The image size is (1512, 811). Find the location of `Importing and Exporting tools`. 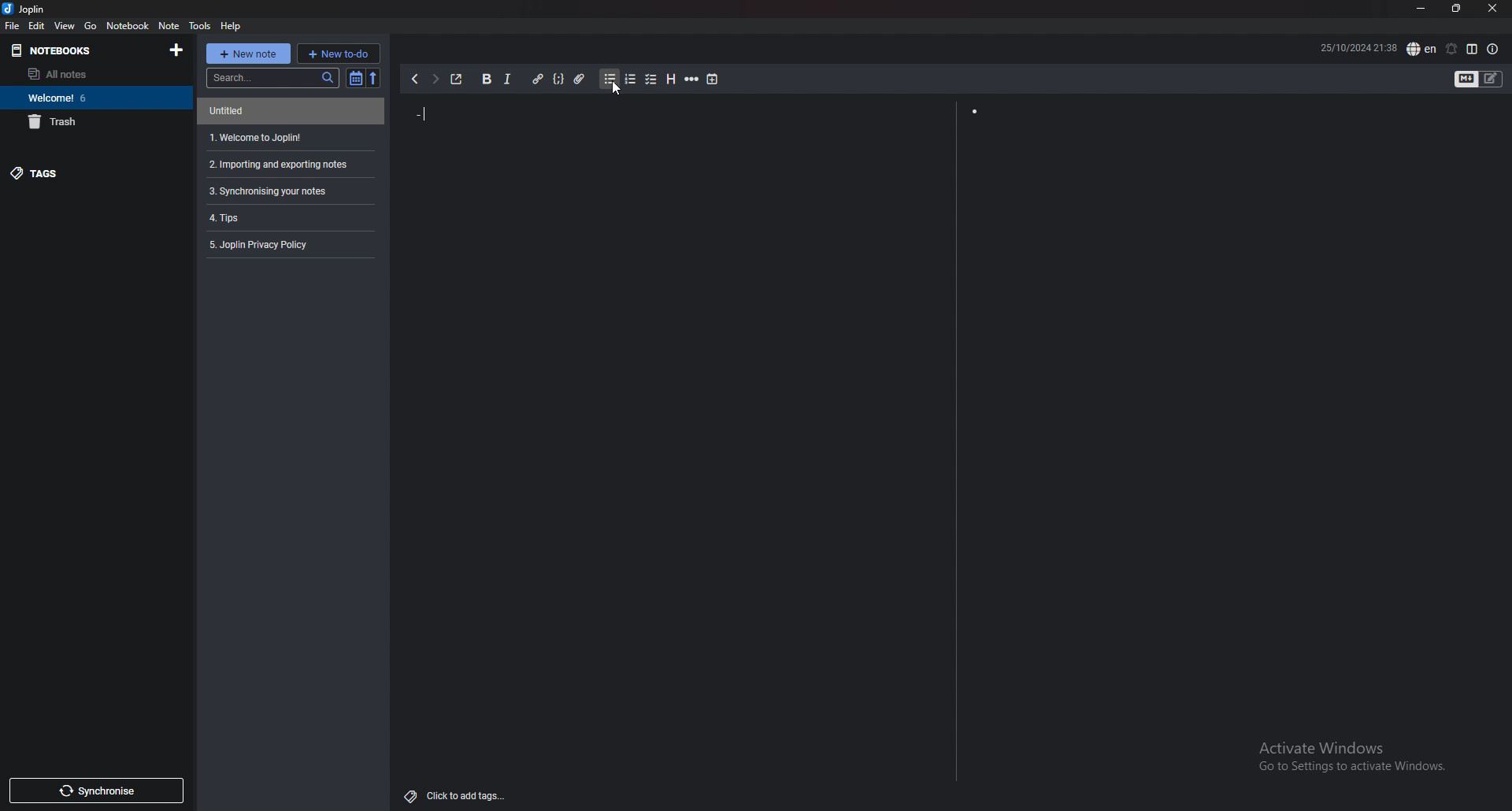

Importing and Exporting tools is located at coordinates (283, 163).